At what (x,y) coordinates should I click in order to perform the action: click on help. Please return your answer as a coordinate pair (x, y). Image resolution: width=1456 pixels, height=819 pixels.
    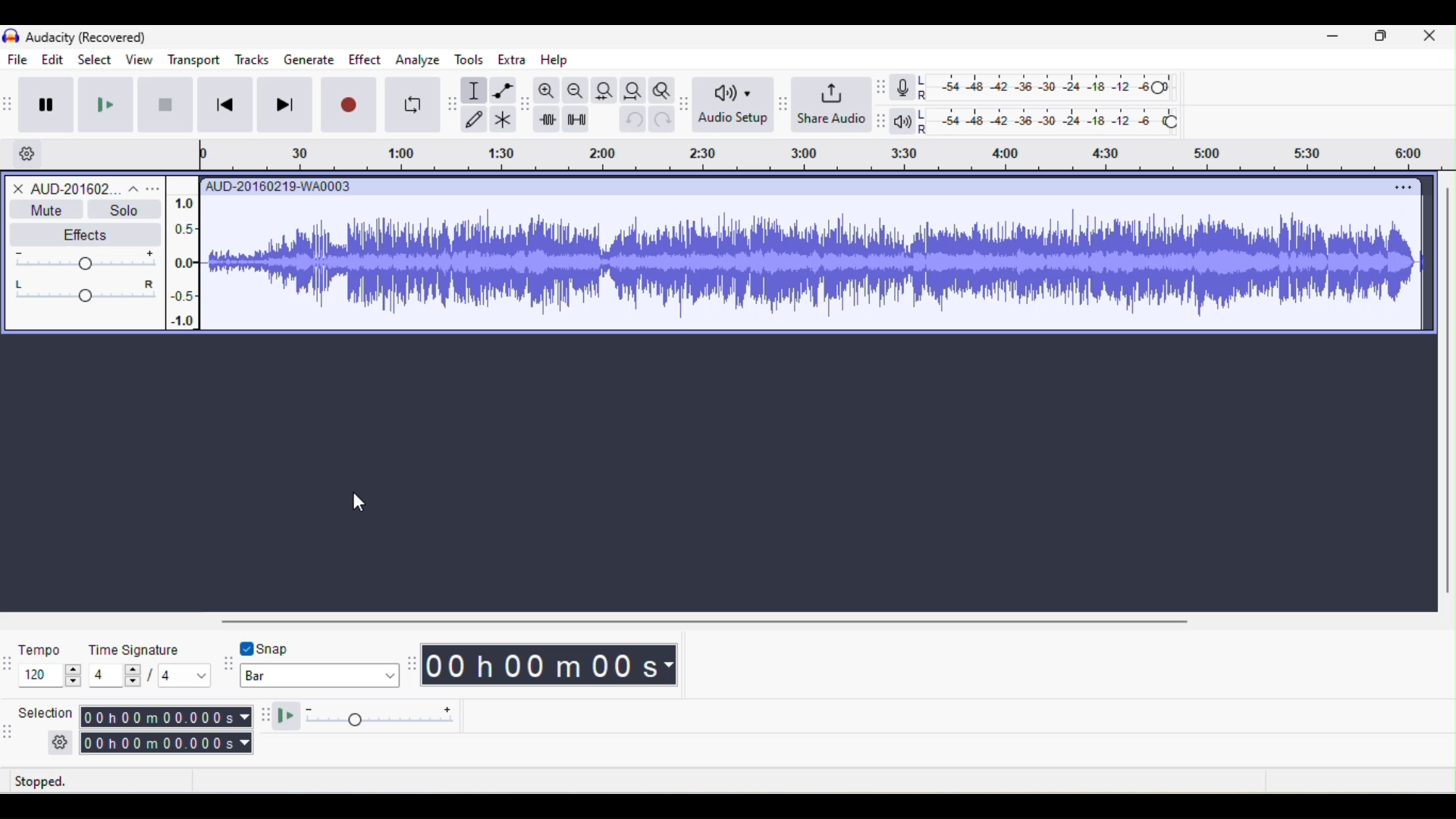
    Looking at the image, I should click on (552, 60).